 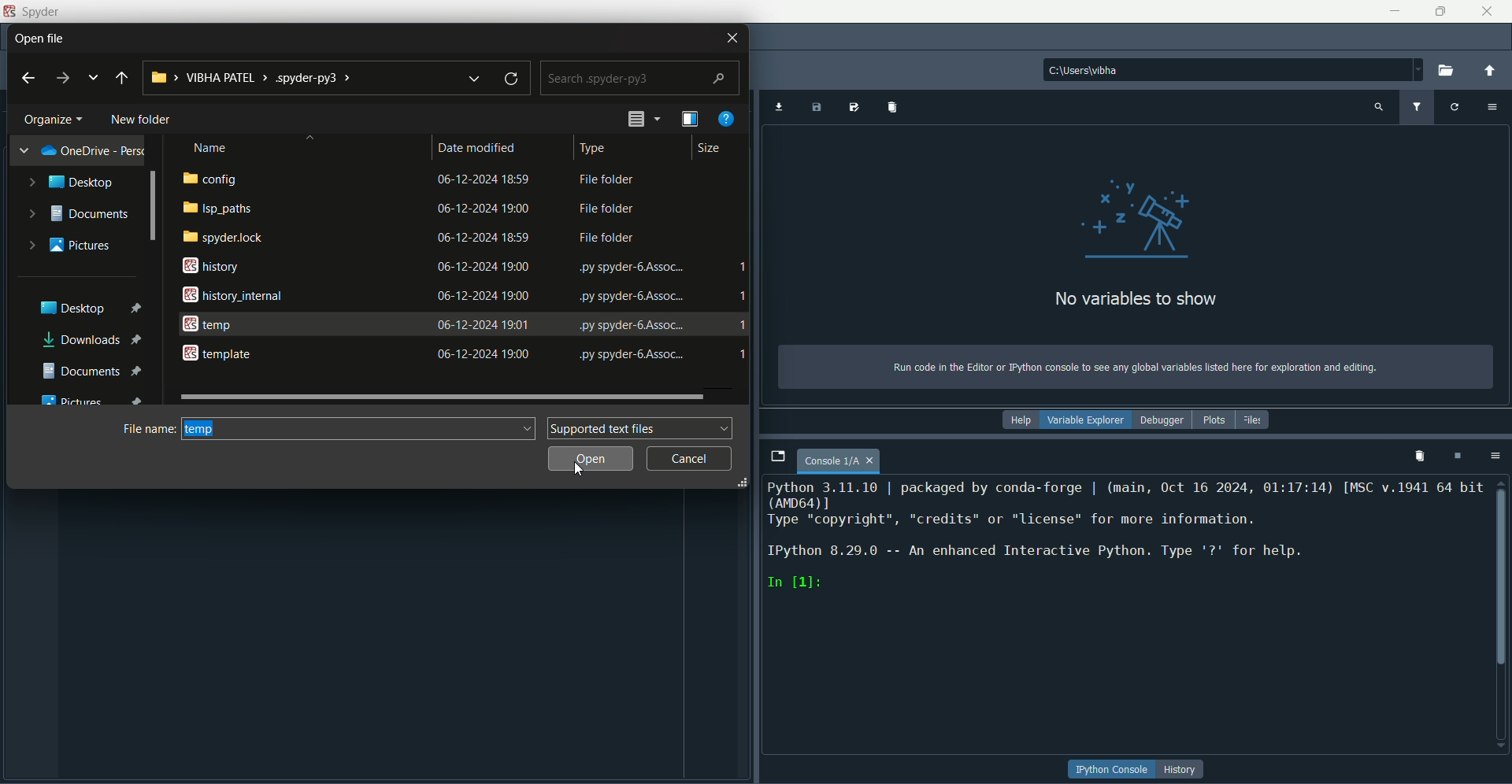 I want to click on history, so click(x=205, y=266).